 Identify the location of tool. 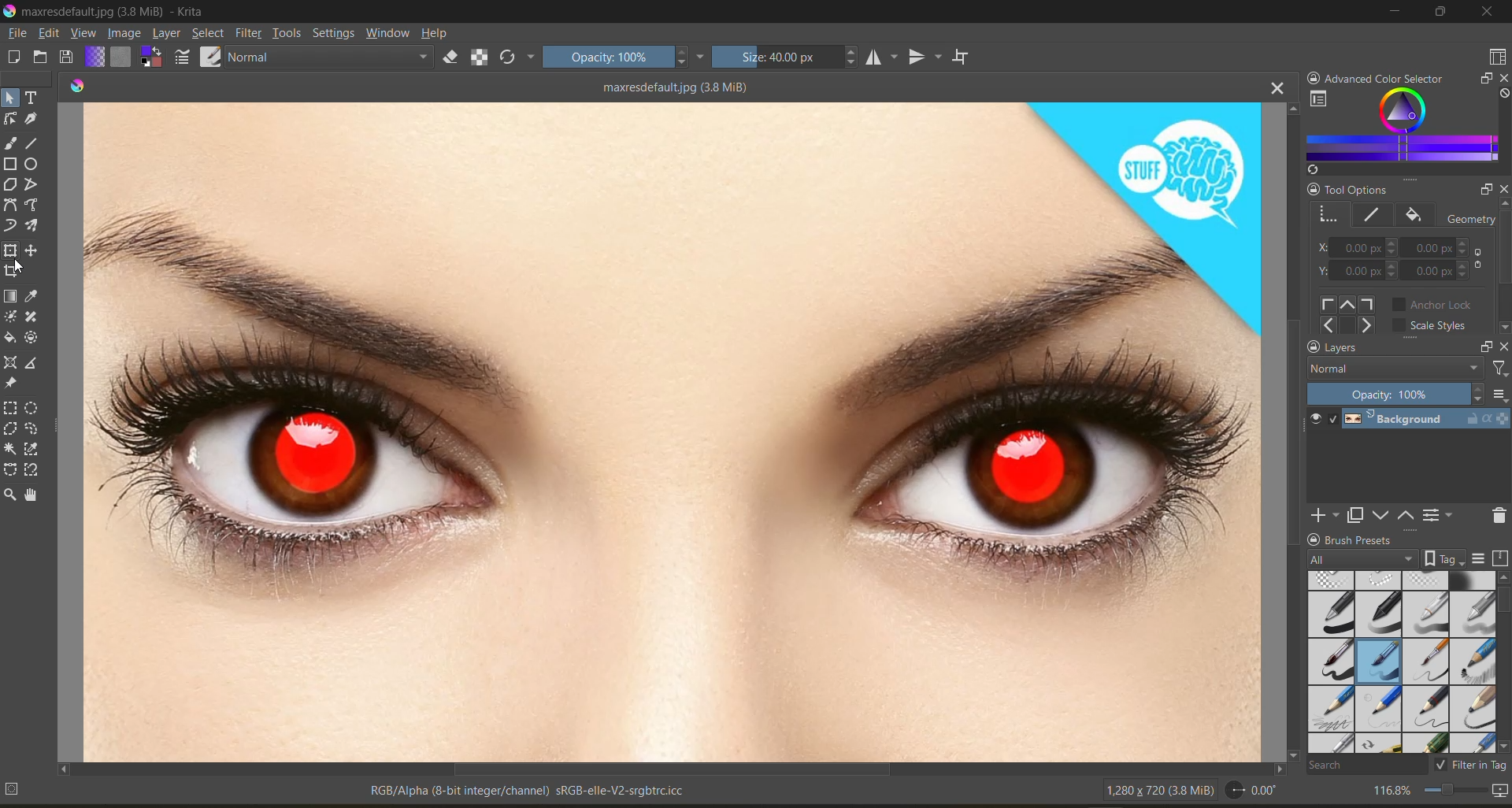
(32, 365).